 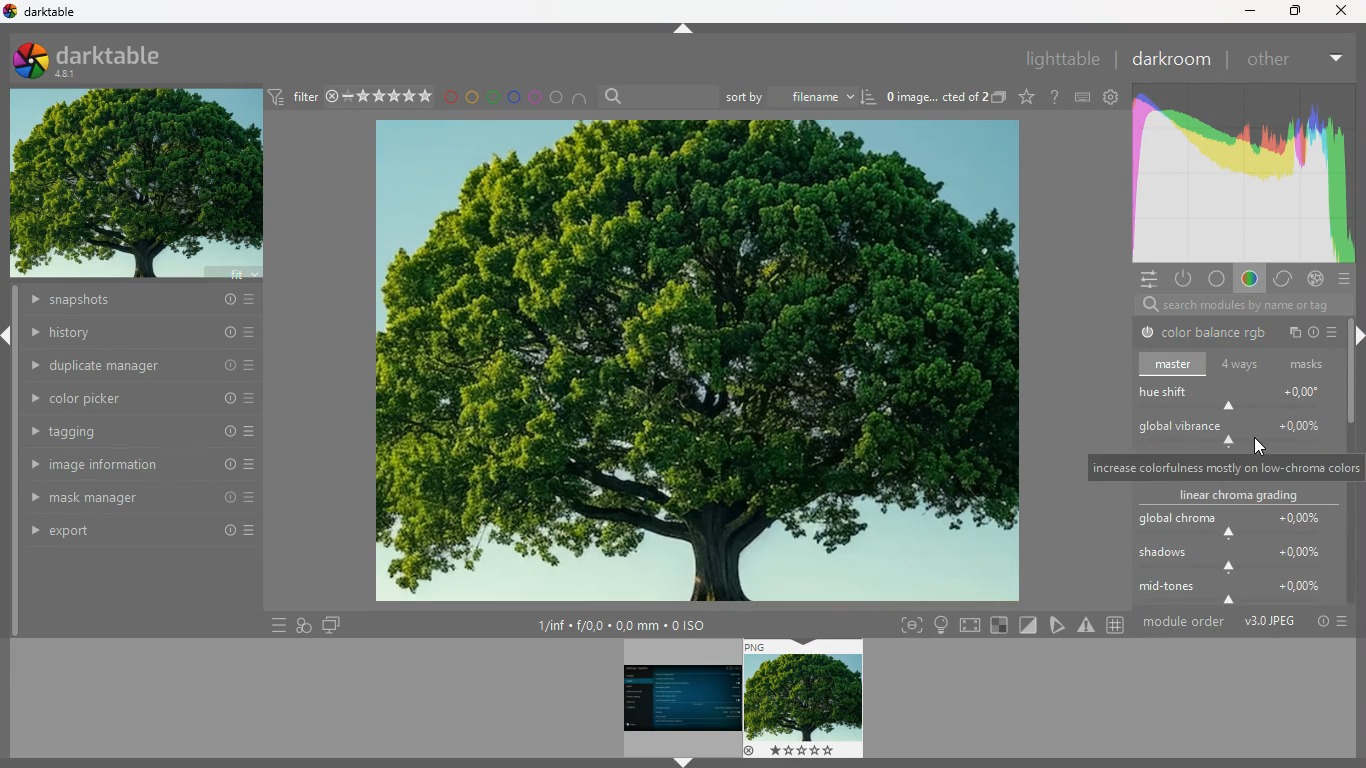 What do you see at coordinates (1238, 593) in the screenshot?
I see `mid tones` at bounding box center [1238, 593].